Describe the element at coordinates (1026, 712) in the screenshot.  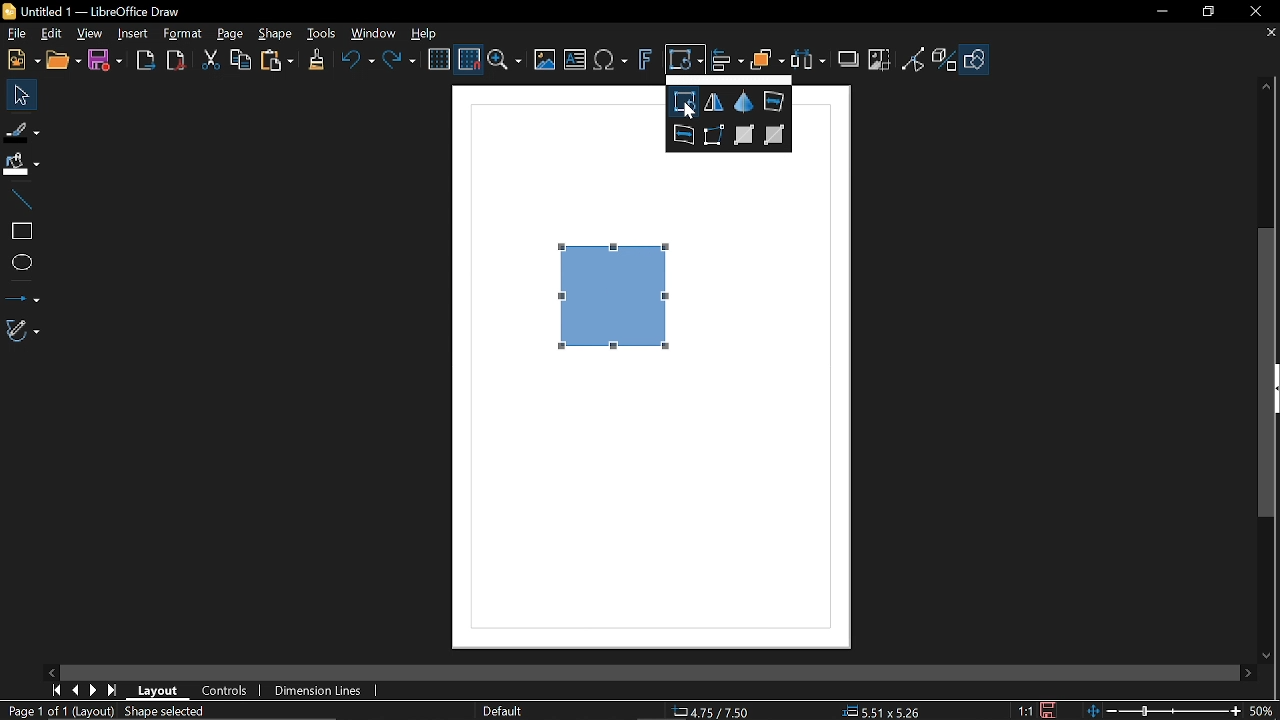
I see `1:1 (Scaling factor)` at that location.